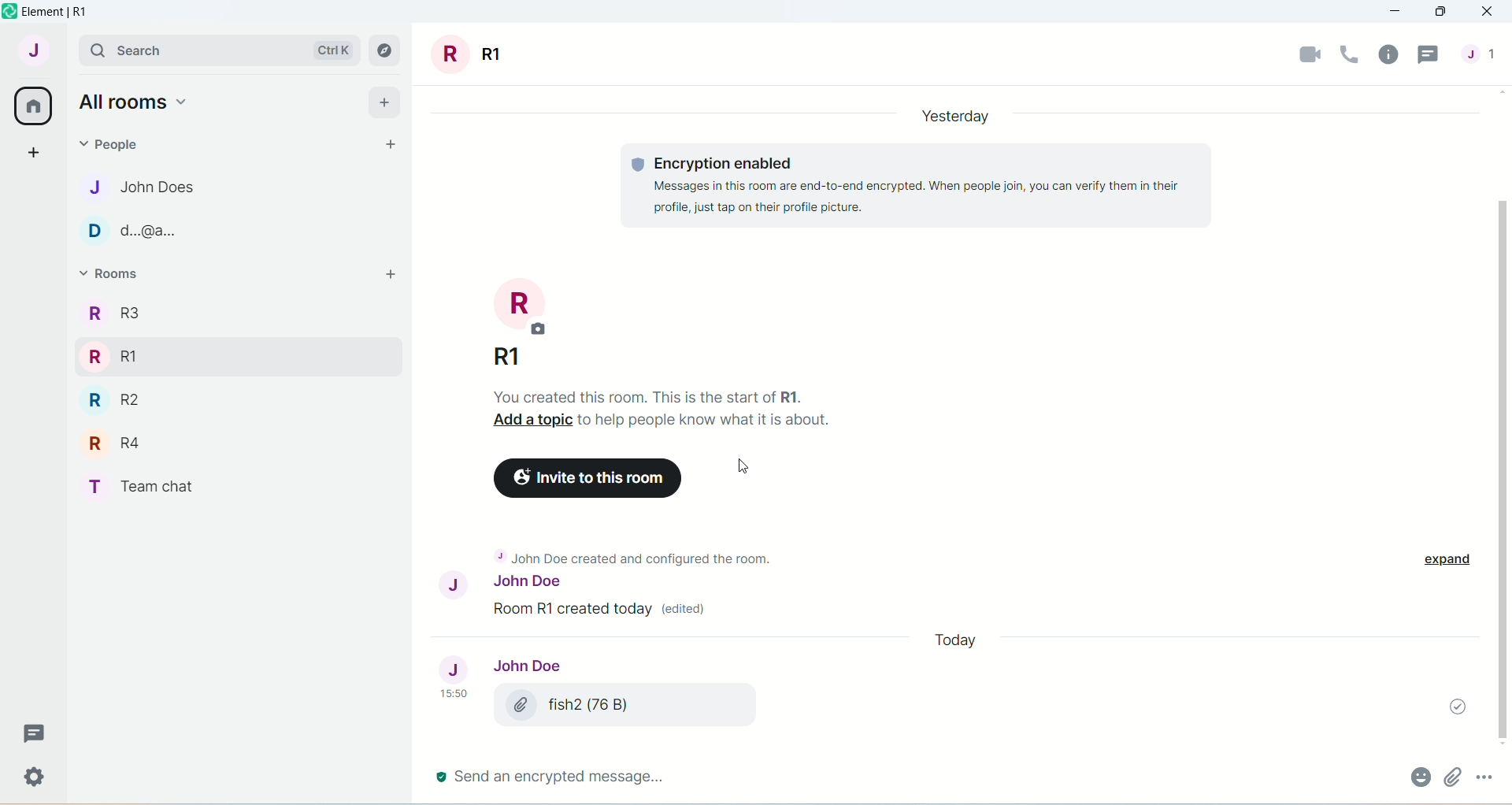 The height and width of the screenshot is (805, 1512). I want to click on Cursor, so click(745, 467).